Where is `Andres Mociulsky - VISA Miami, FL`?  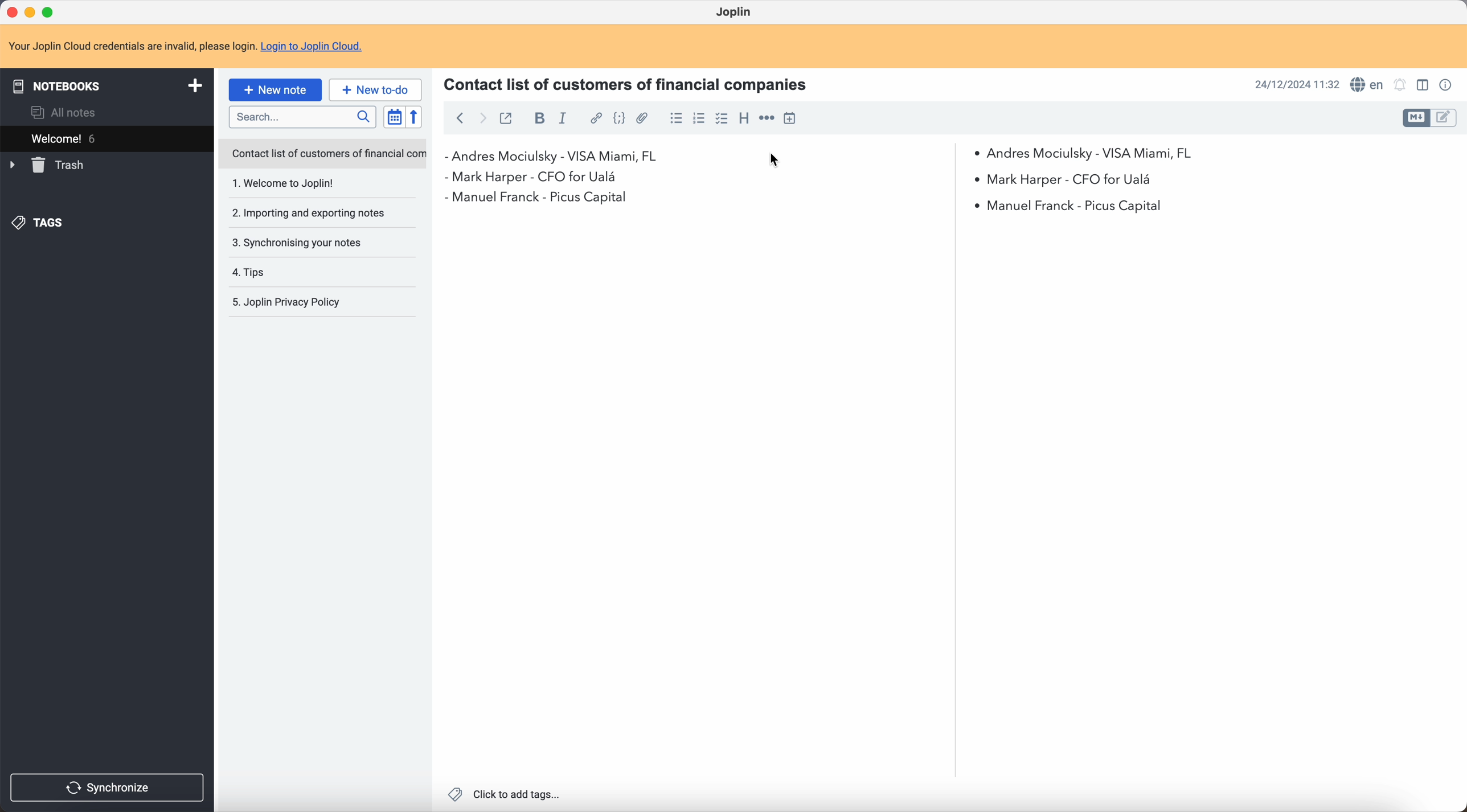 Andres Mociulsky - VISA Miami, FL is located at coordinates (1091, 151).